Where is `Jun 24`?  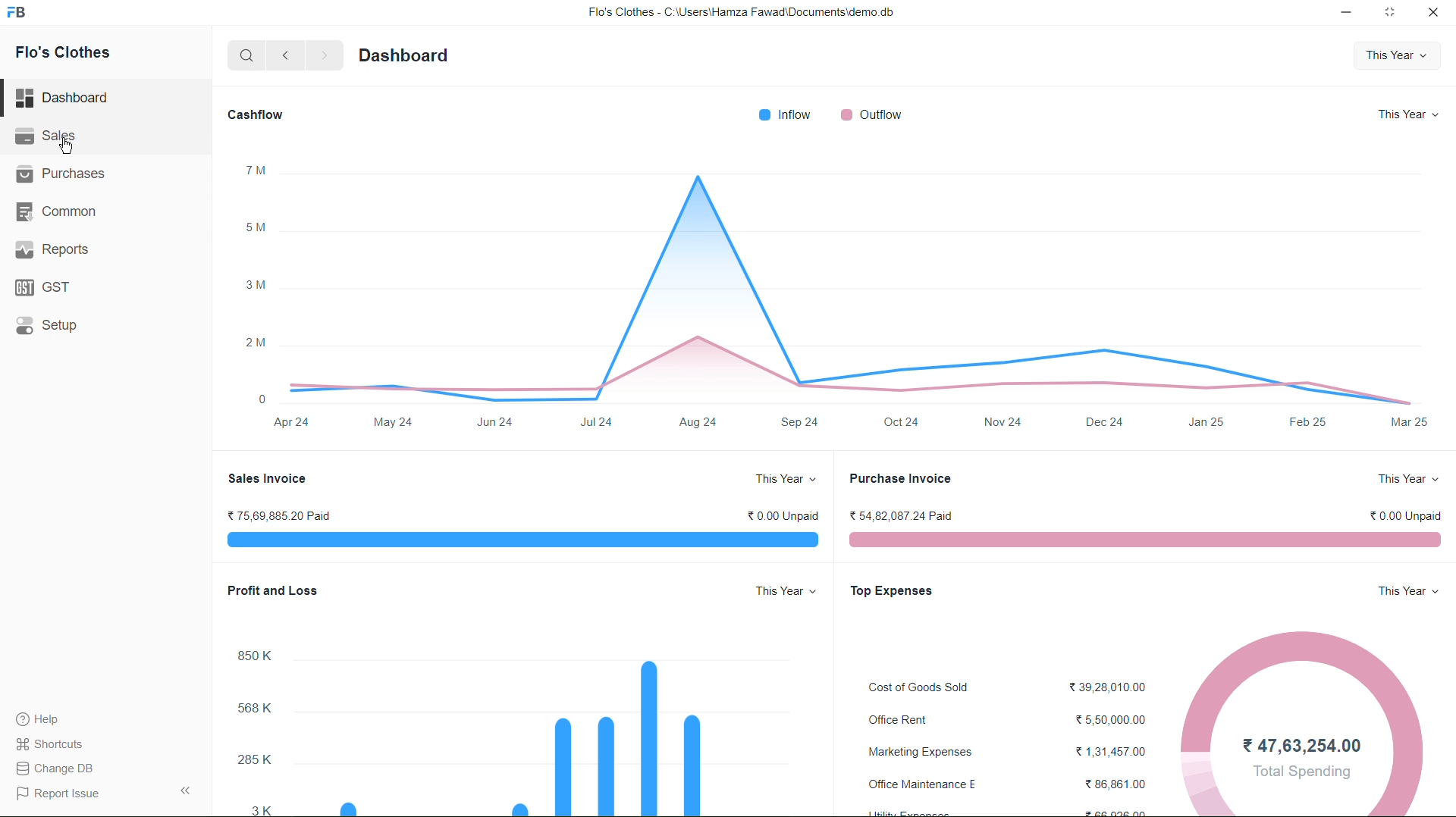
Jun 24 is located at coordinates (492, 420).